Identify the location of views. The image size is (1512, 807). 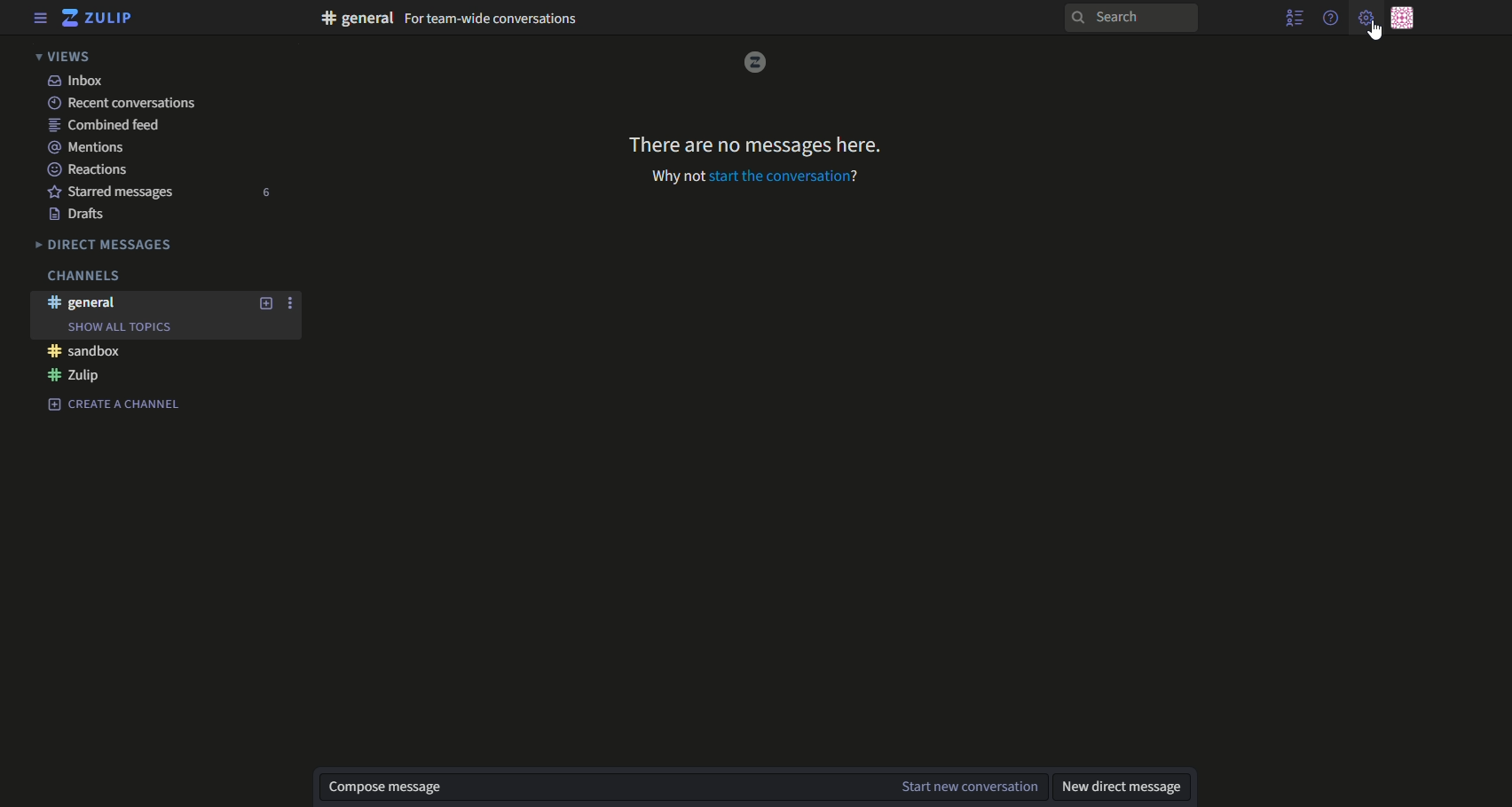
(67, 55).